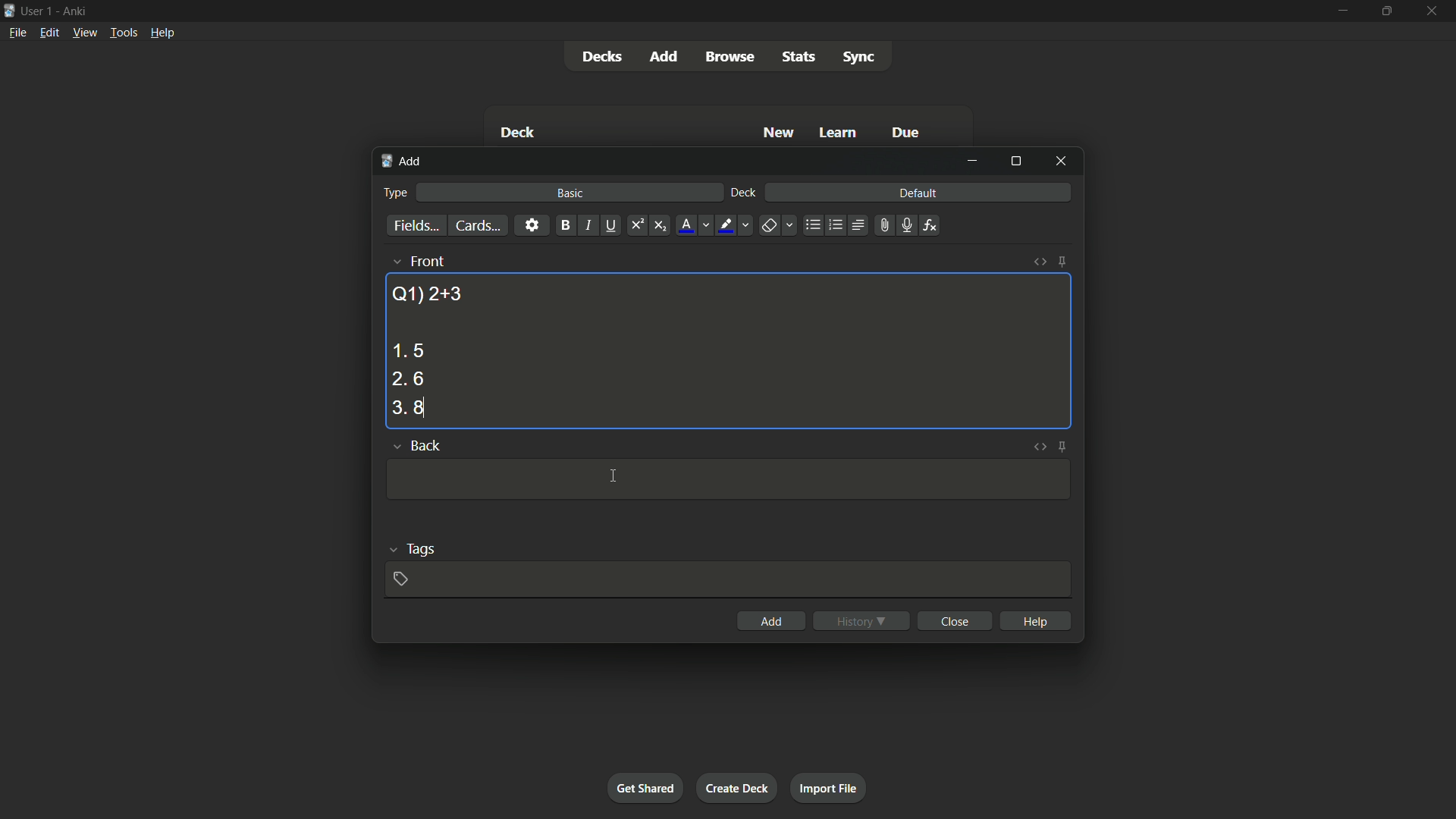  What do you see at coordinates (859, 58) in the screenshot?
I see `sync` at bounding box center [859, 58].